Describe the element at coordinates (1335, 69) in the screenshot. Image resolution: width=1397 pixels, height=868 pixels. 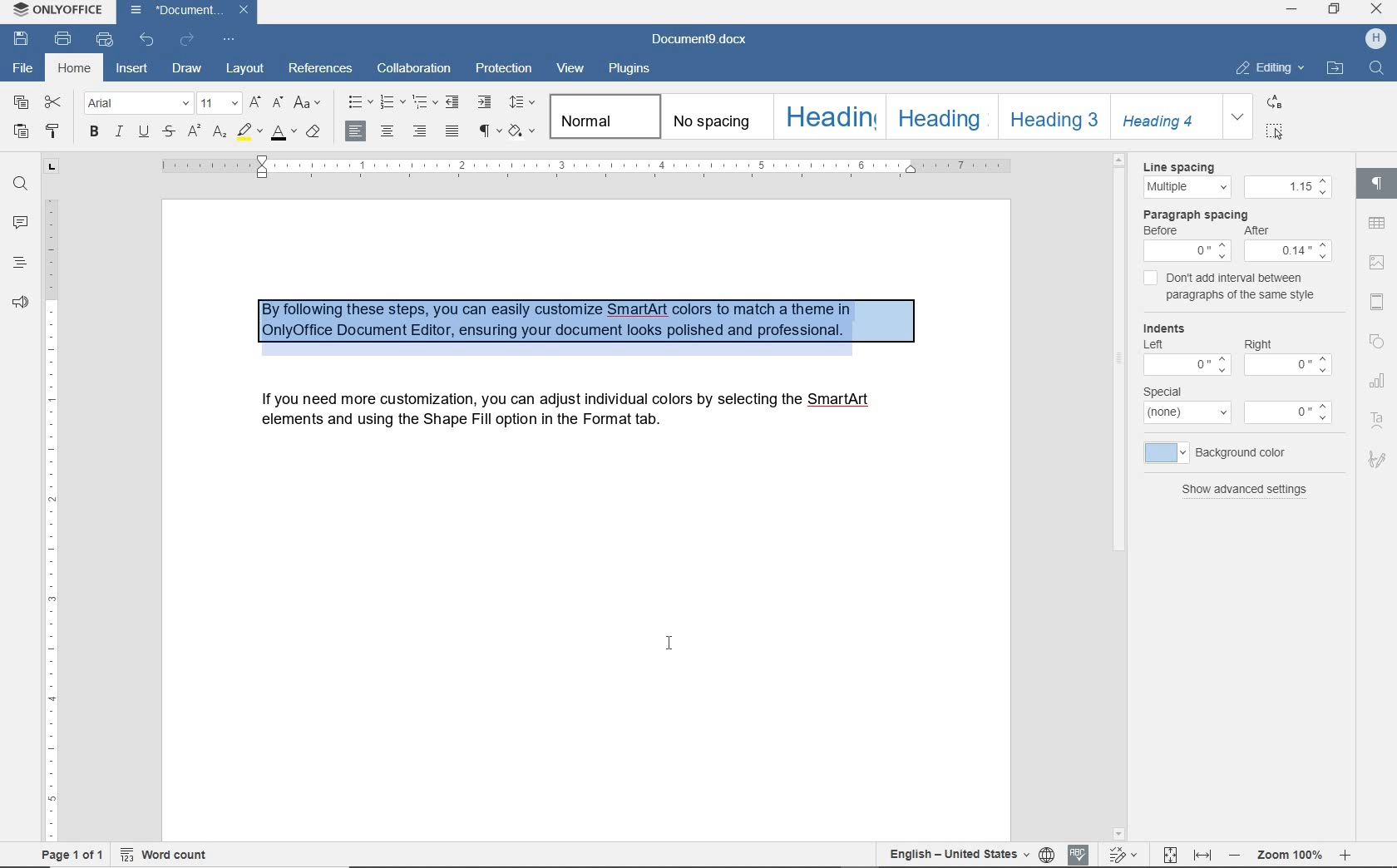
I see `open file location` at that location.